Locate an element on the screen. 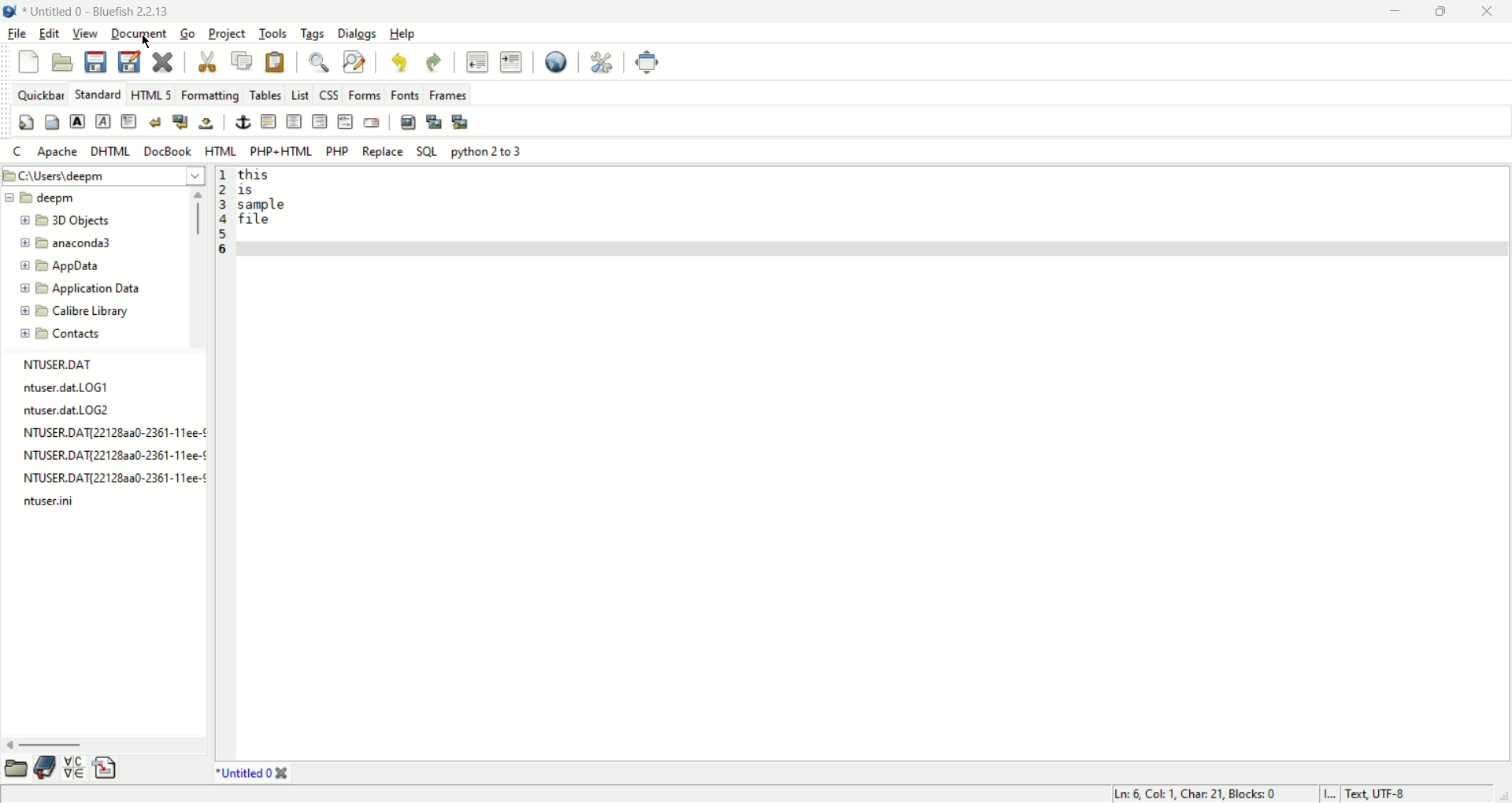  tables is located at coordinates (266, 93).